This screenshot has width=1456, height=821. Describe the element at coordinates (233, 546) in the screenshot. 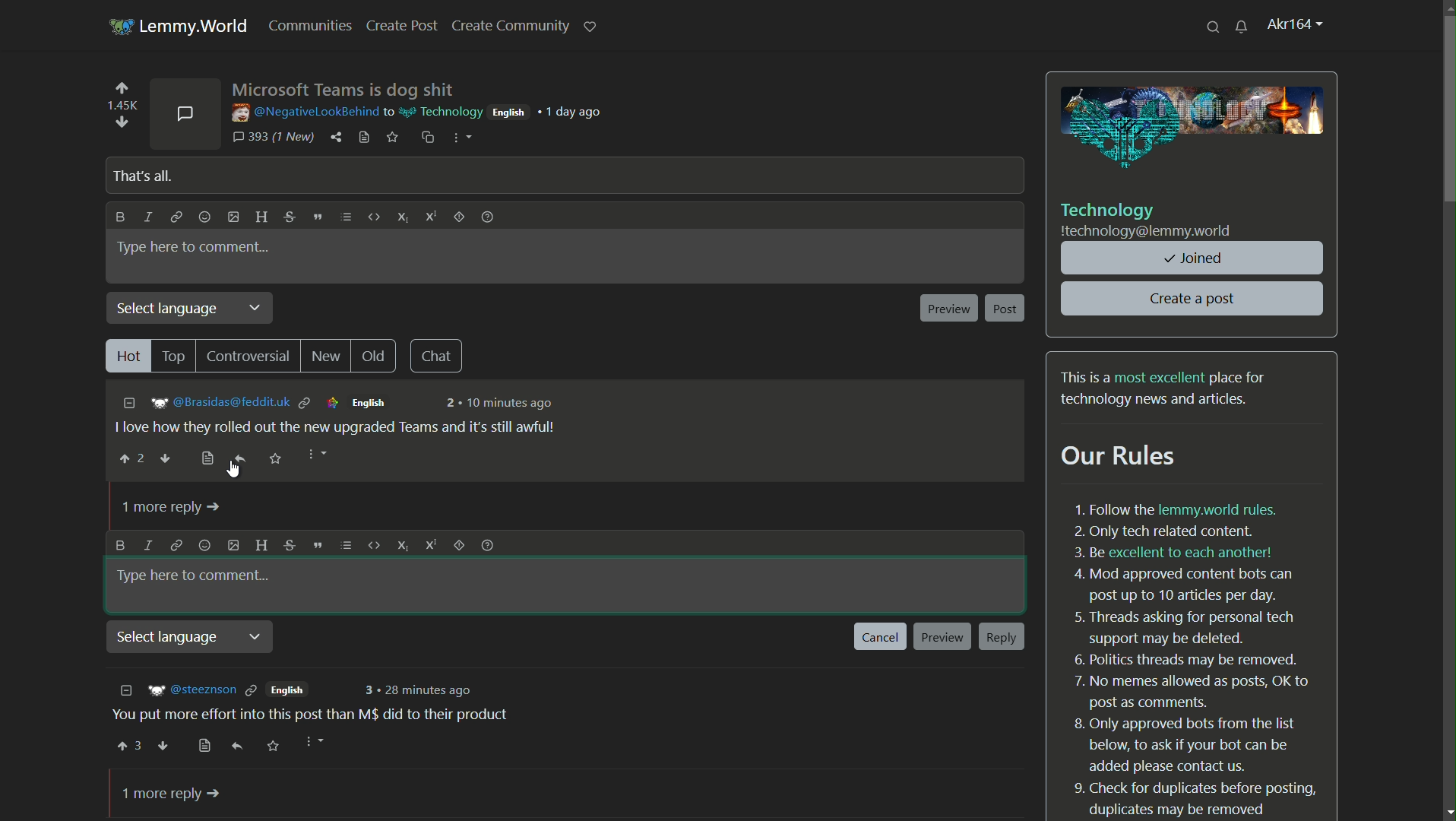

I see `add image` at that location.